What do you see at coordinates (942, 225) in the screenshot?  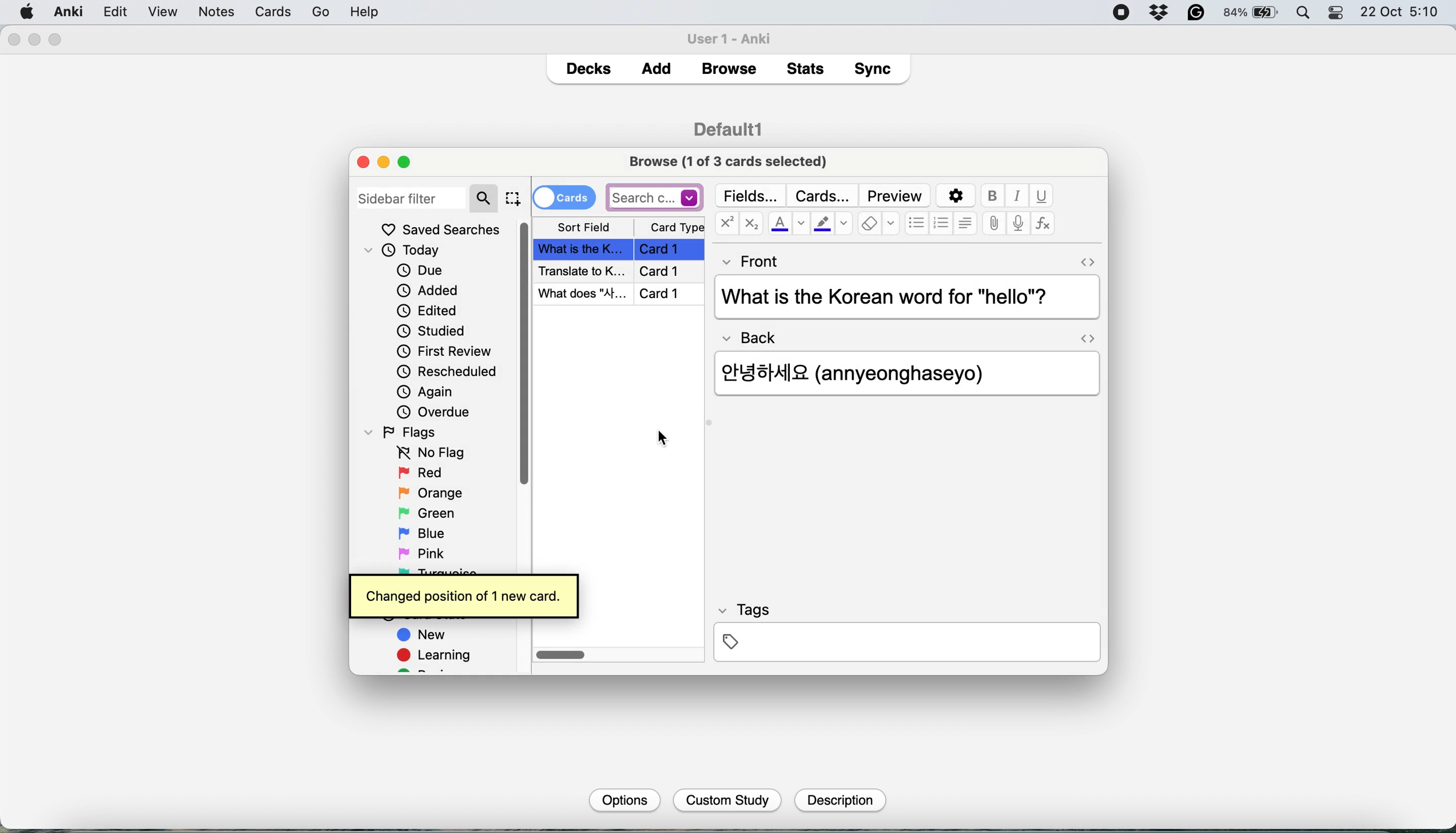 I see `numbered list` at bounding box center [942, 225].